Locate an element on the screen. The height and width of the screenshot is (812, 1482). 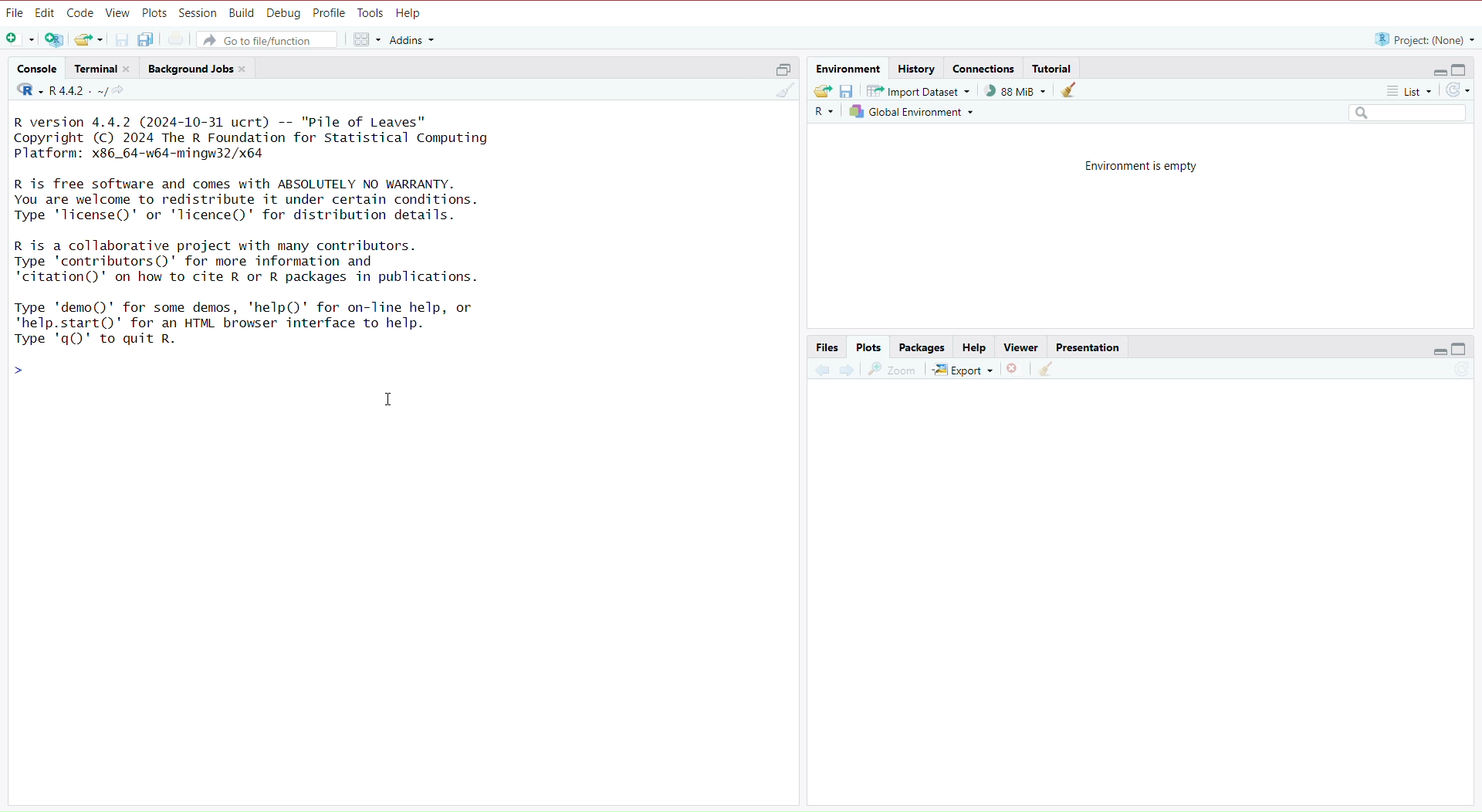
plots is located at coordinates (154, 12).